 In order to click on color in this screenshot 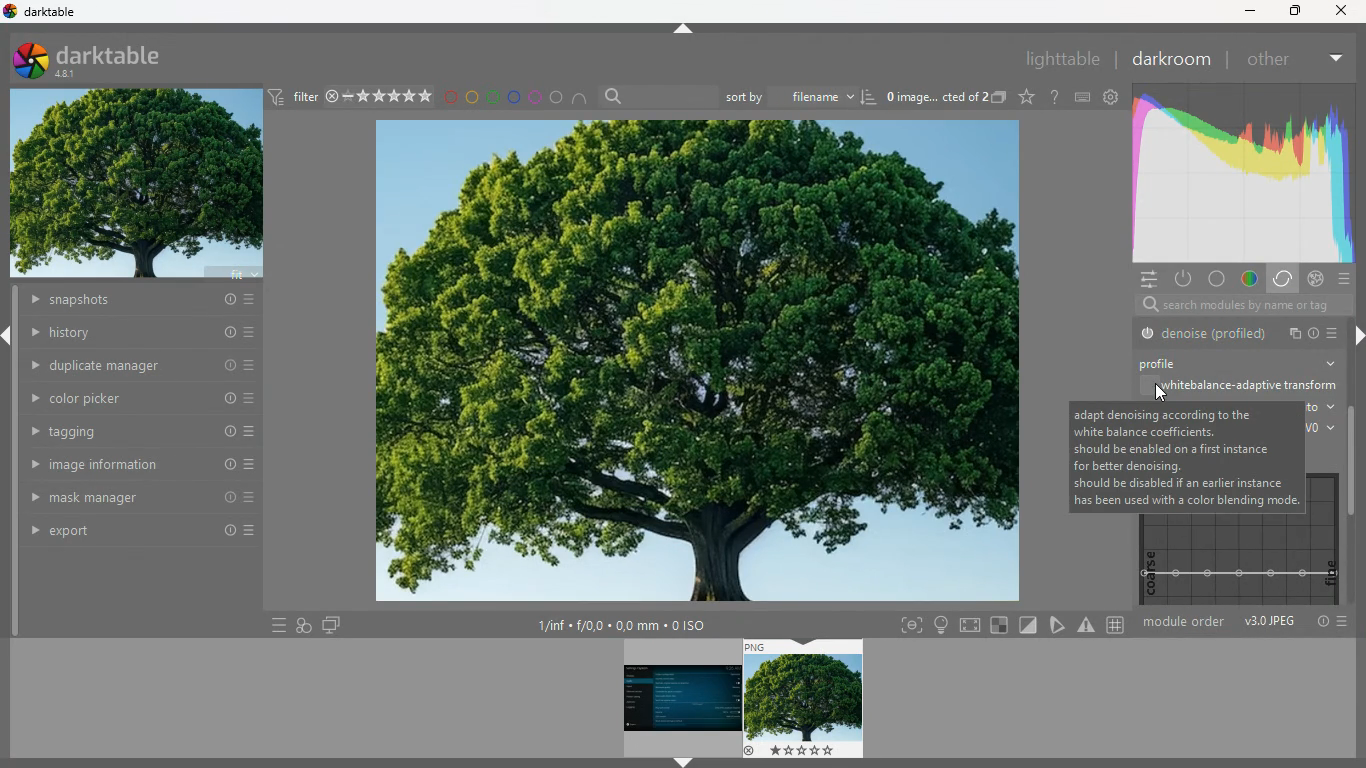, I will do `click(1219, 279)`.